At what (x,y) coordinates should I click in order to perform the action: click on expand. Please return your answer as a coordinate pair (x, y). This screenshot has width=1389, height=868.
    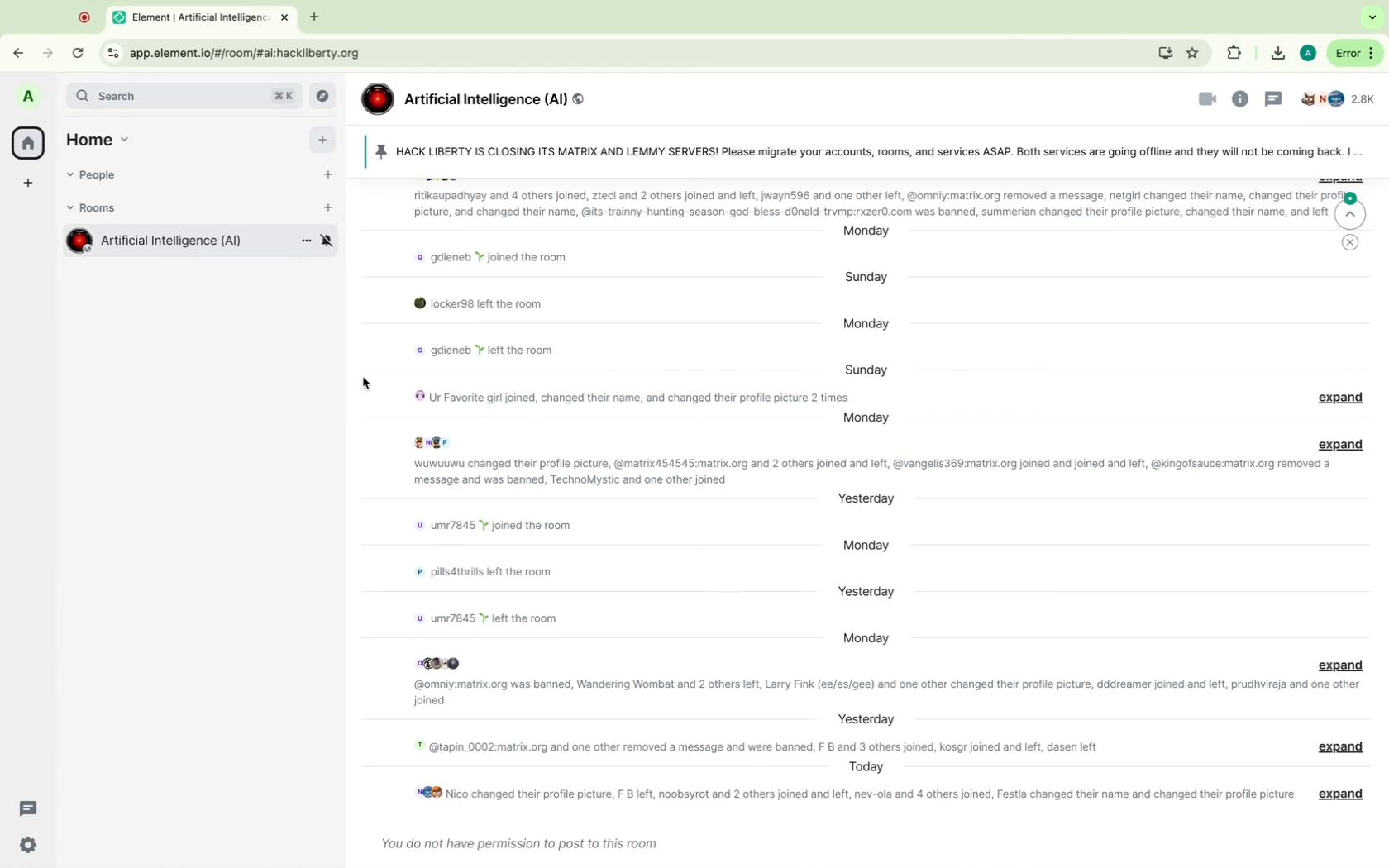
    Looking at the image, I should click on (1336, 397).